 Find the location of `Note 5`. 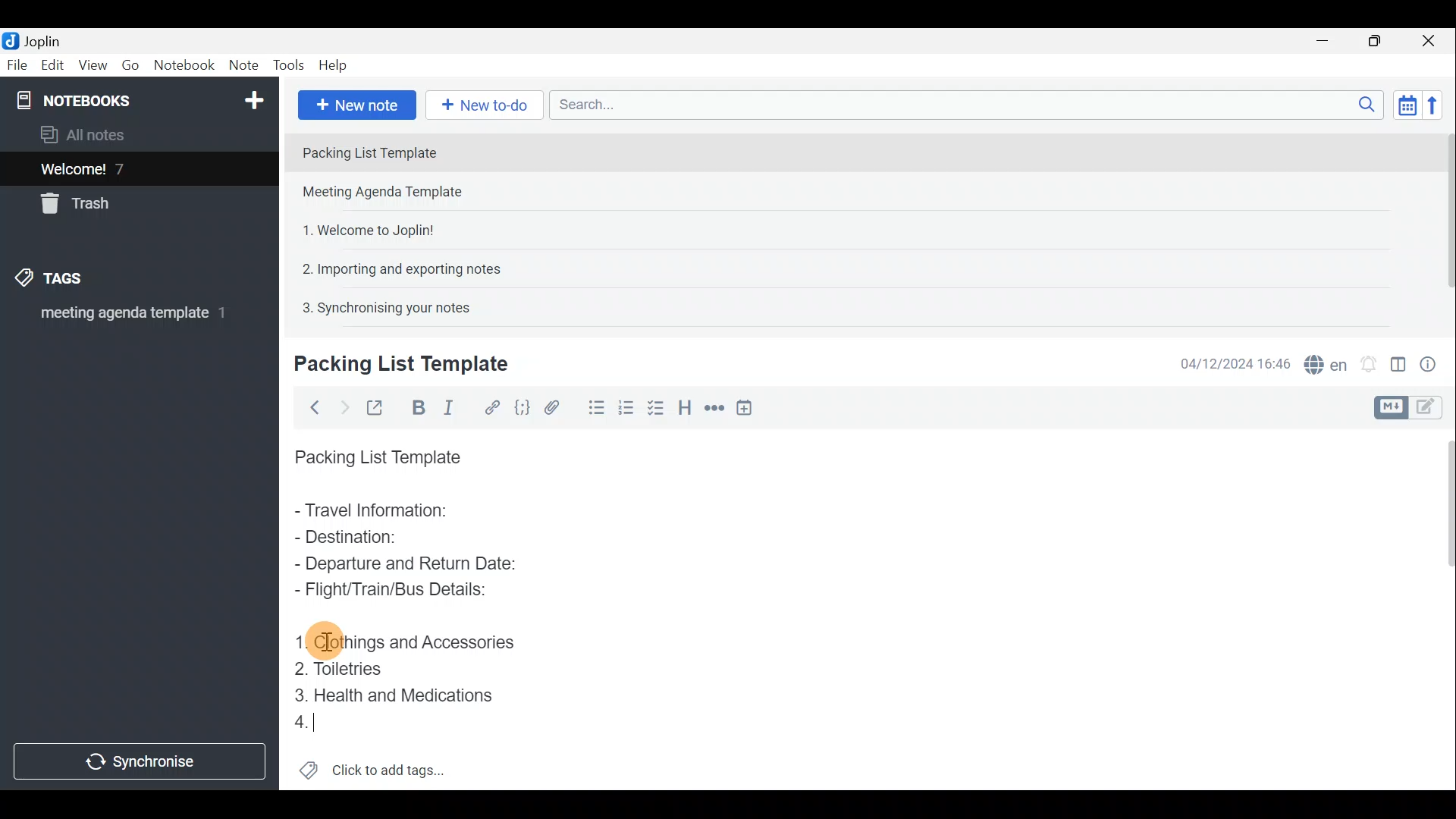

Note 5 is located at coordinates (380, 306).